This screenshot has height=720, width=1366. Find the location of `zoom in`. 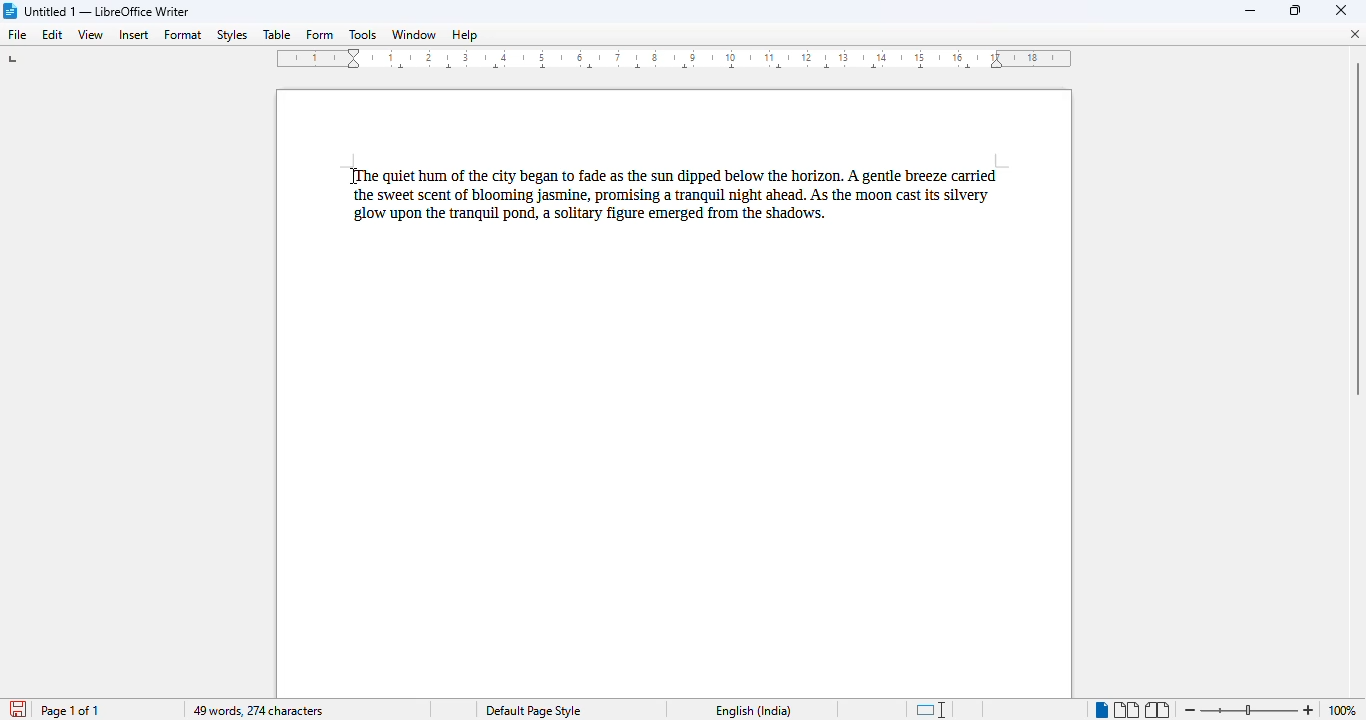

zoom in is located at coordinates (1308, 710).